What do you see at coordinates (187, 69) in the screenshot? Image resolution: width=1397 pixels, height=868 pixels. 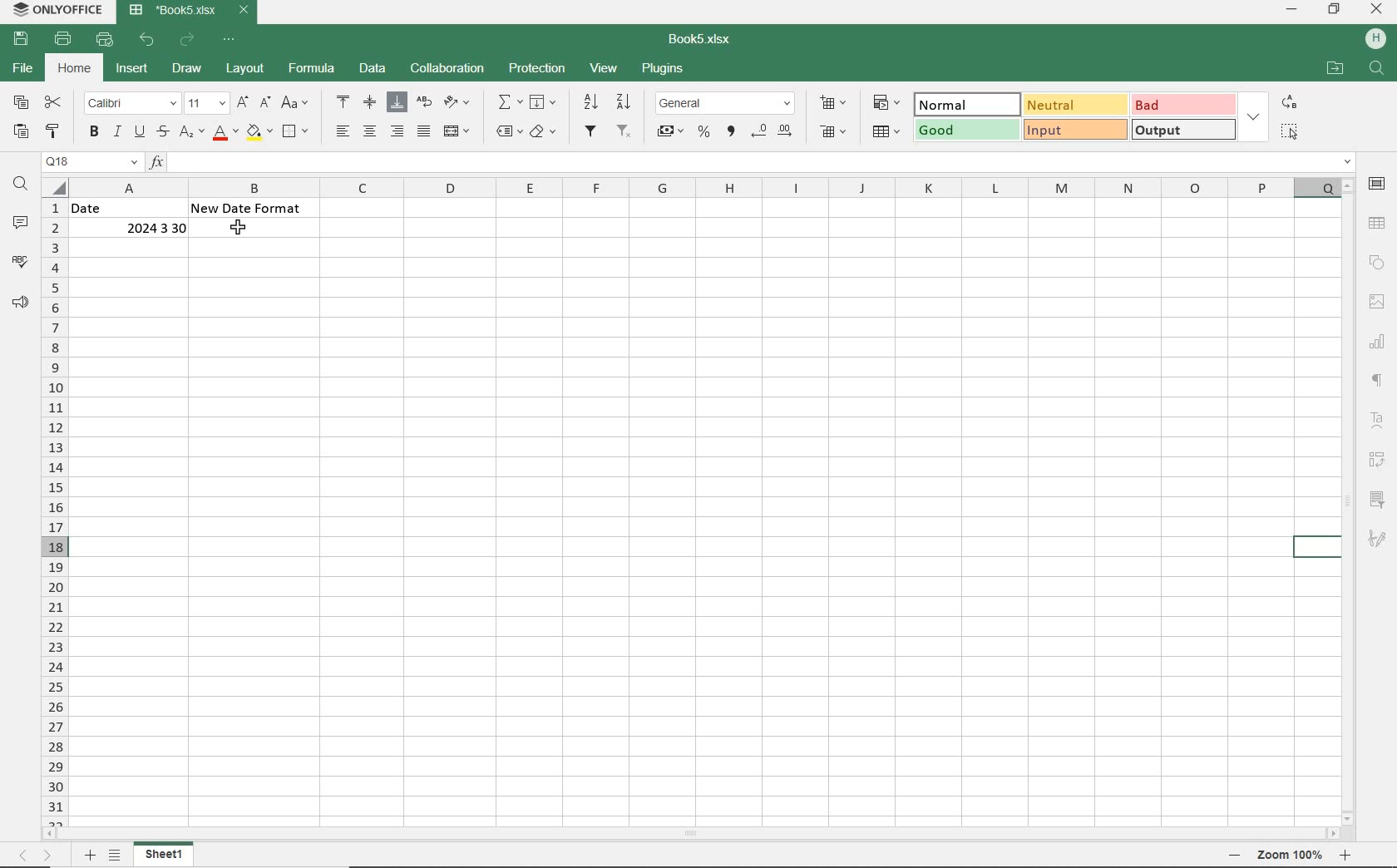 I see `SRAW` at bounding box center [187, 69].